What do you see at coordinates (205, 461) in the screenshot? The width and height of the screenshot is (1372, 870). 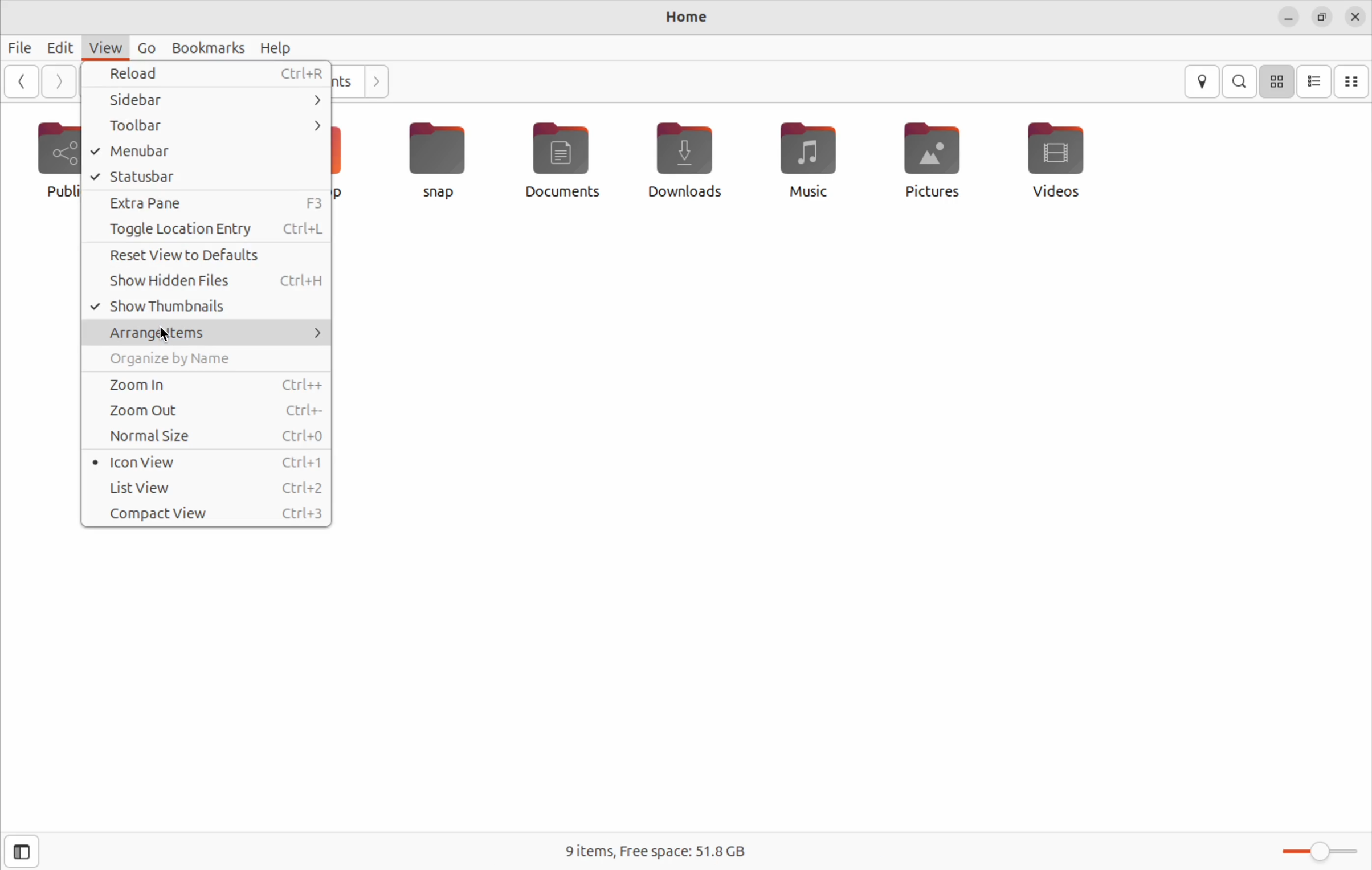 I see `icon view` at bounding box center [205, 461].